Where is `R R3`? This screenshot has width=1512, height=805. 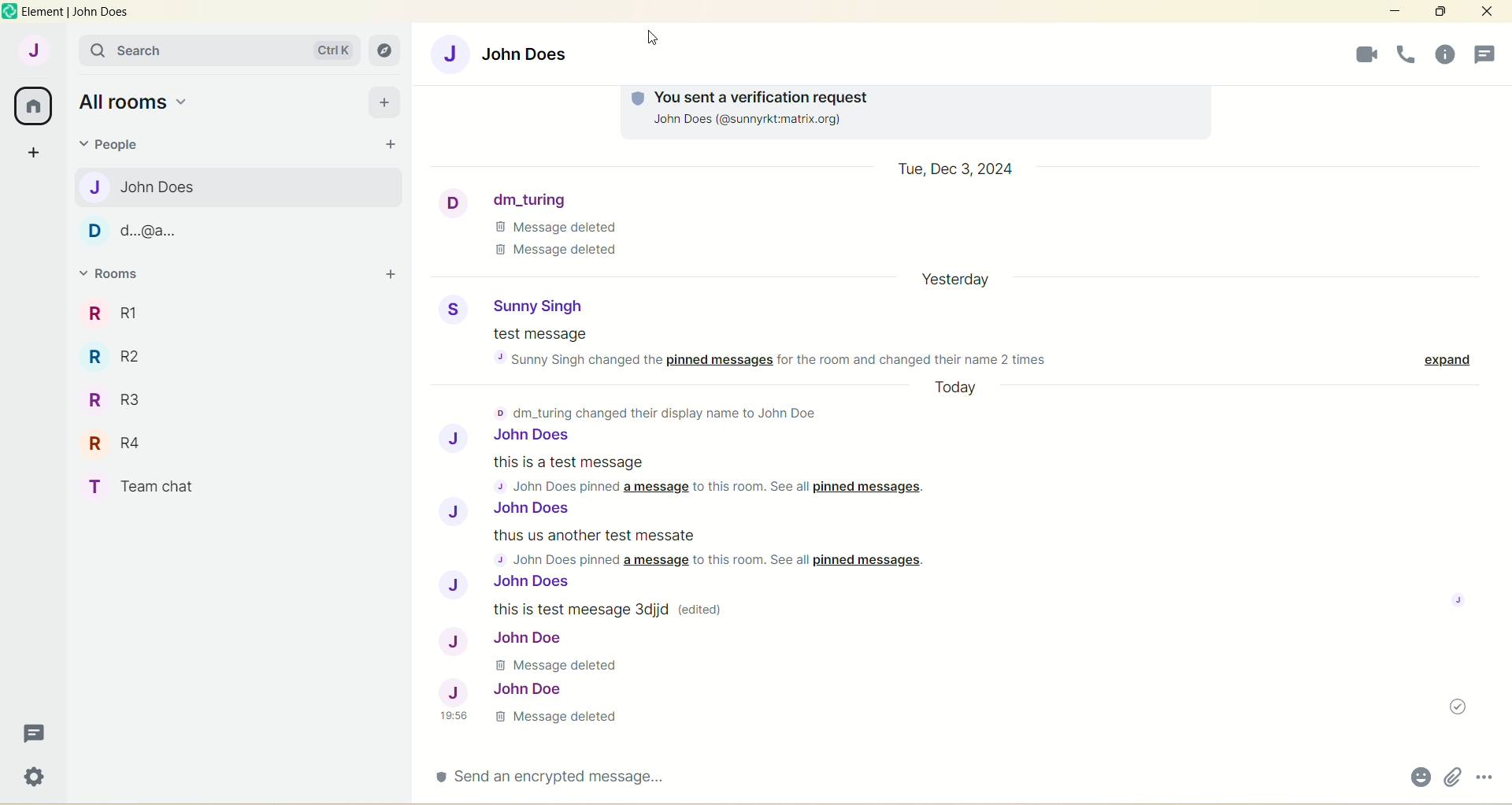
R R3 is located at coordinates (115, 395).